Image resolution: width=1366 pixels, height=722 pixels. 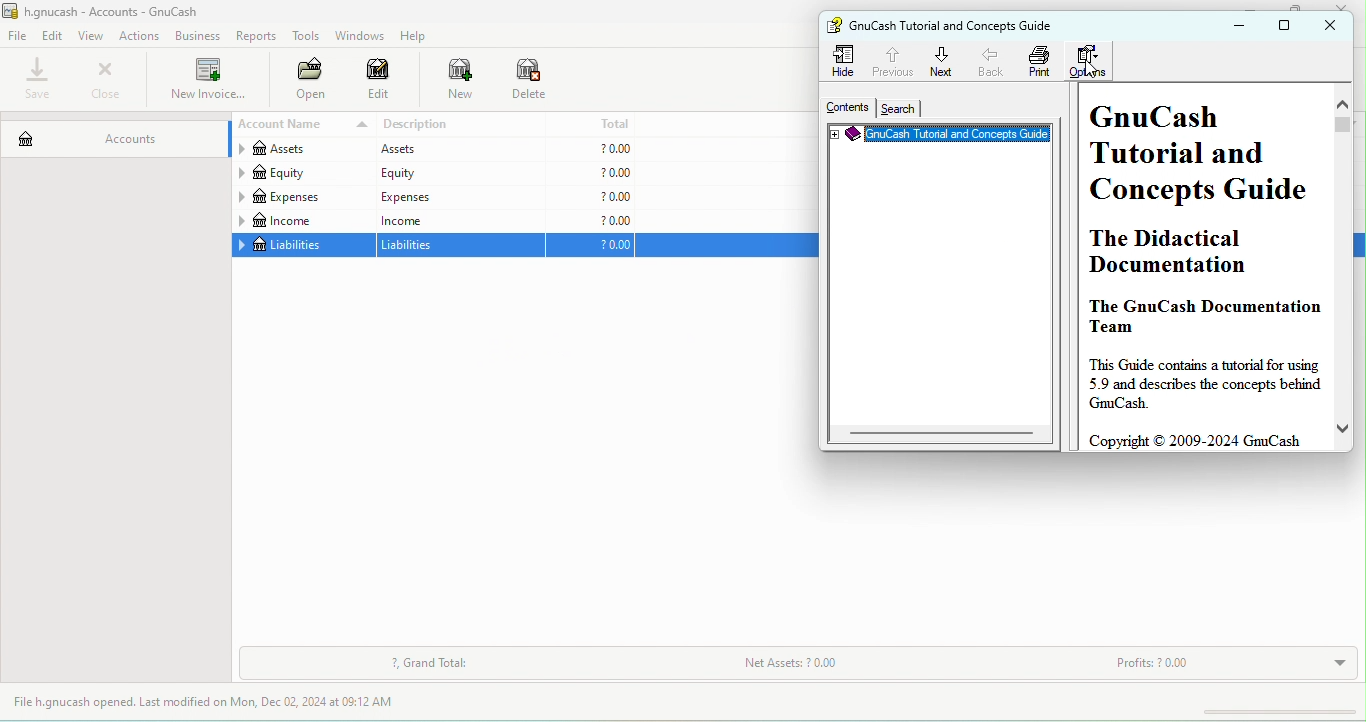 What do you see at coordinates (1199, 155) in the screenshot?
I see `gnu cash tutorial and cconcepts guide ` at bounding box center [1199, 155].